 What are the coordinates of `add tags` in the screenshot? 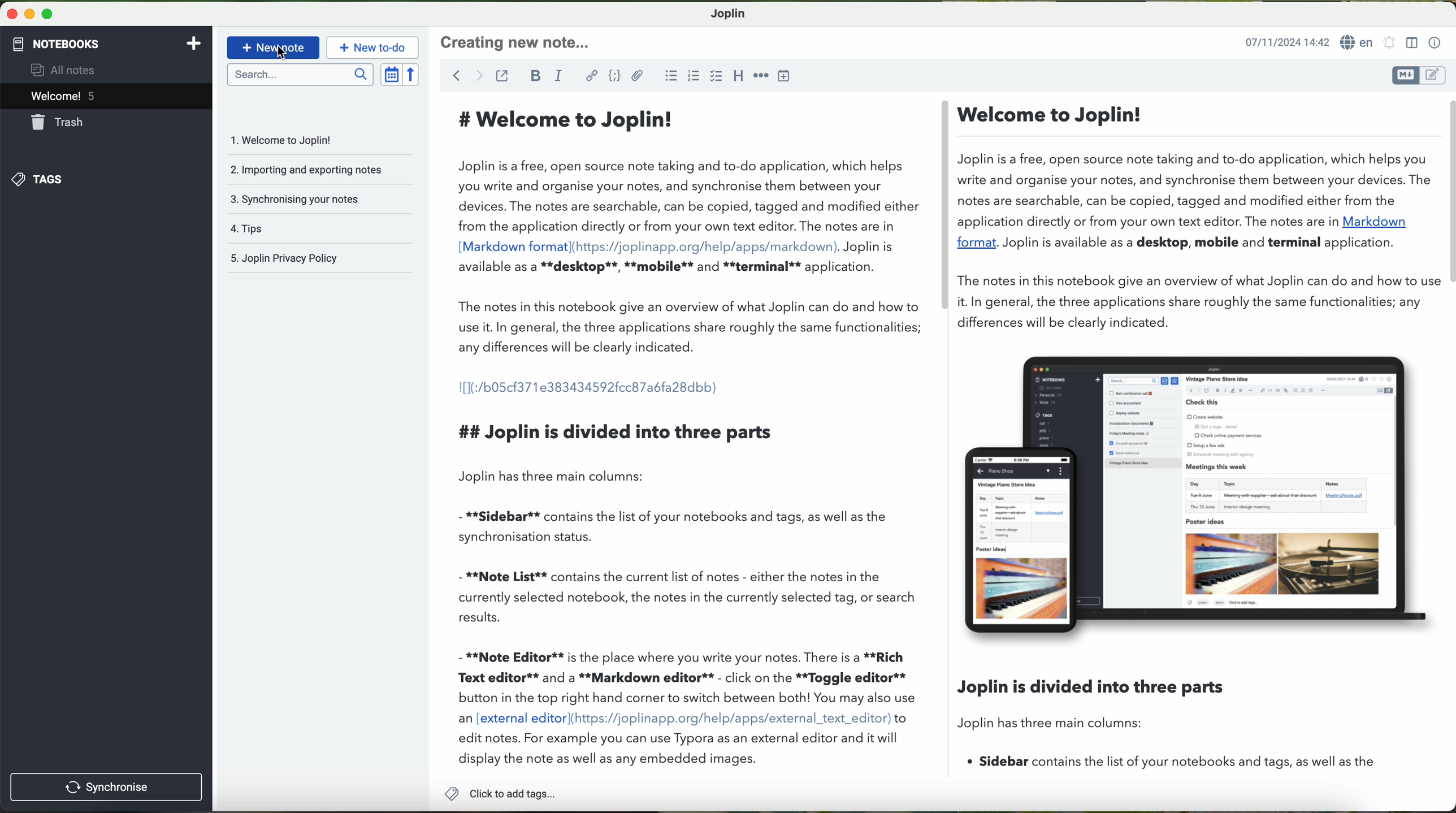 It's located at (500, 795).